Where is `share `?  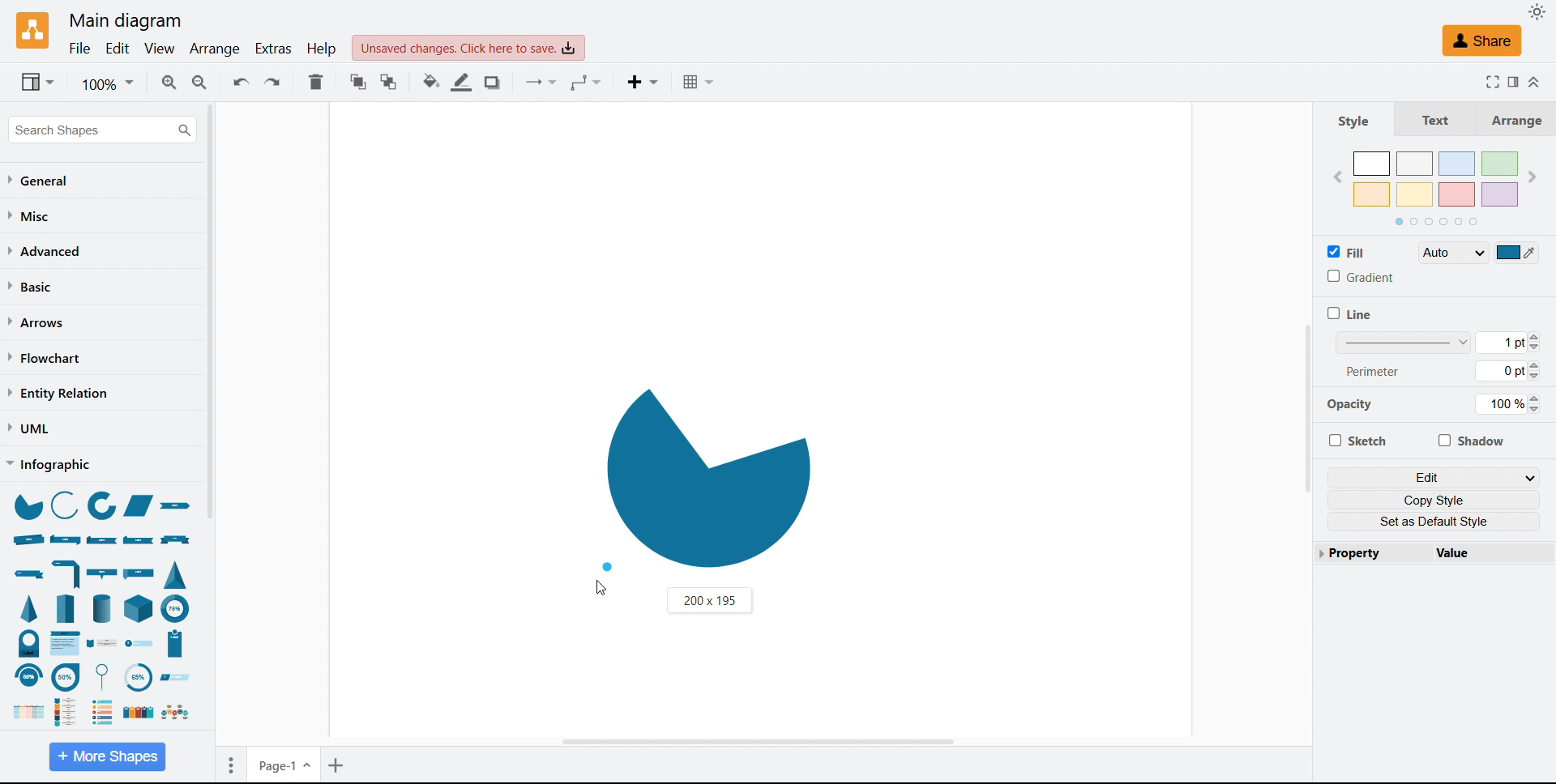 share  is located at coordinates (1483, 43).